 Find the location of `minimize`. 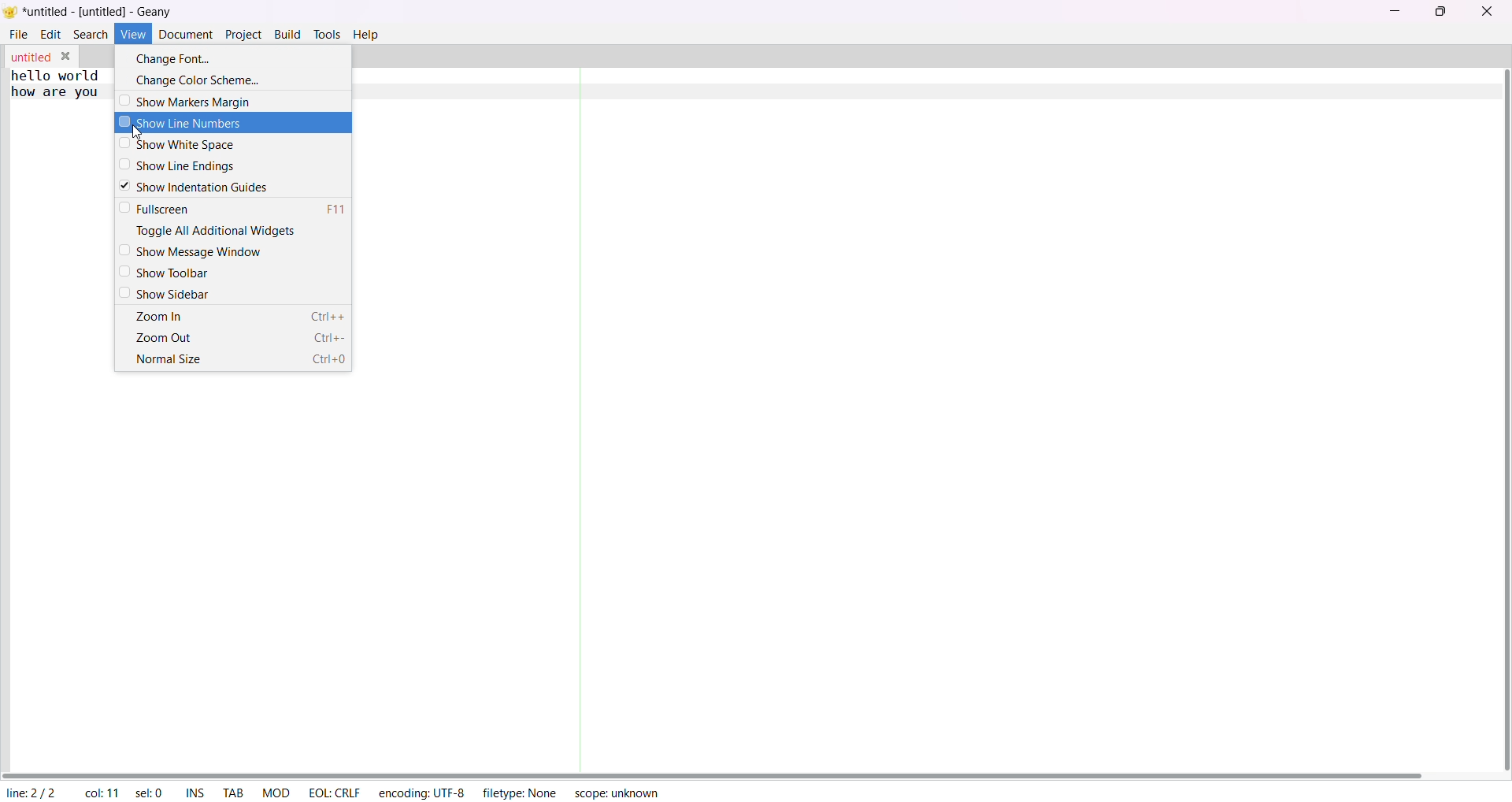

minimize is located at coordinates (1392, 13).